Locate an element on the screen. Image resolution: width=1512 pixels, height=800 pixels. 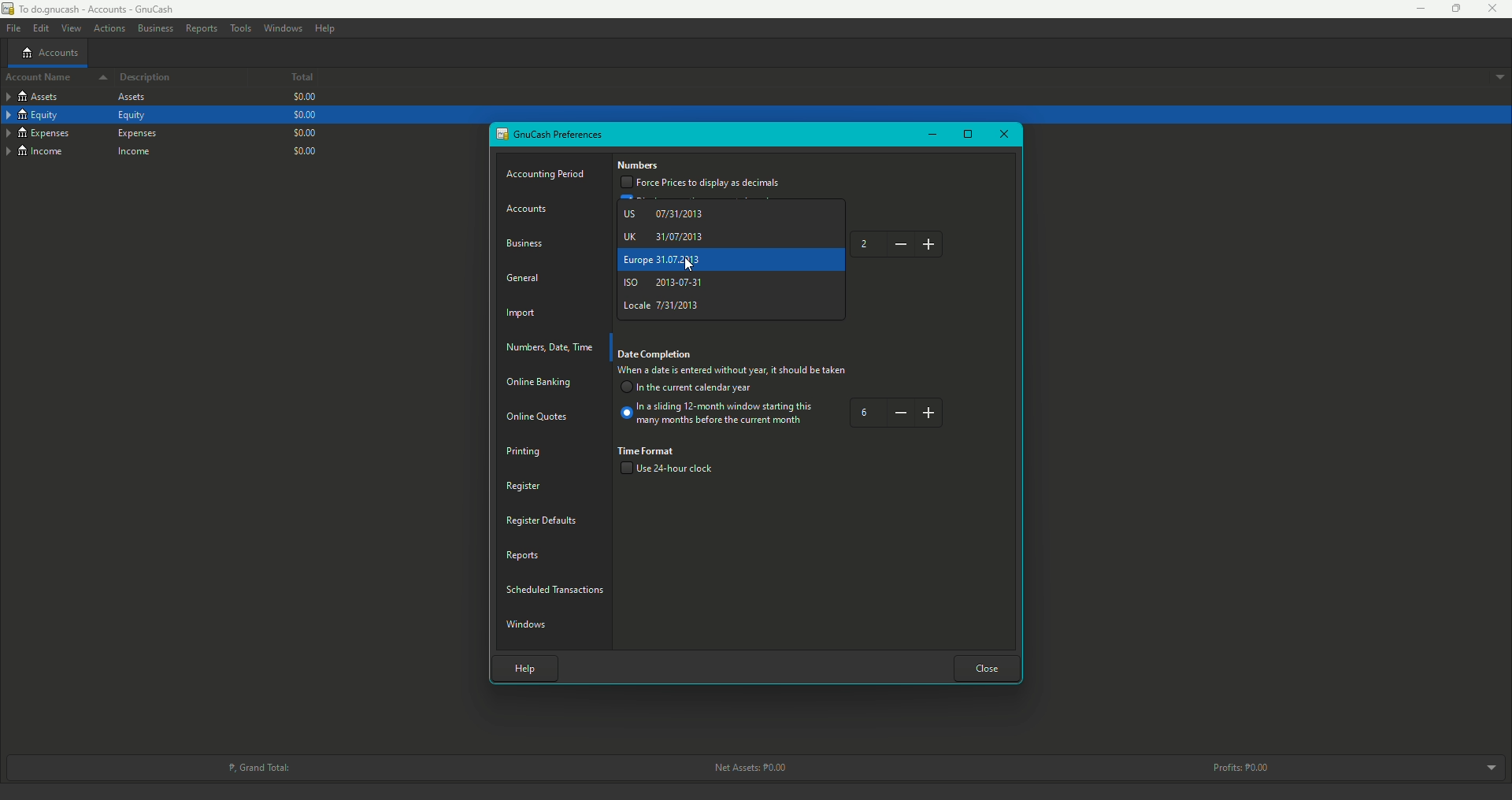
cursor is located at coordinates (689, 262).